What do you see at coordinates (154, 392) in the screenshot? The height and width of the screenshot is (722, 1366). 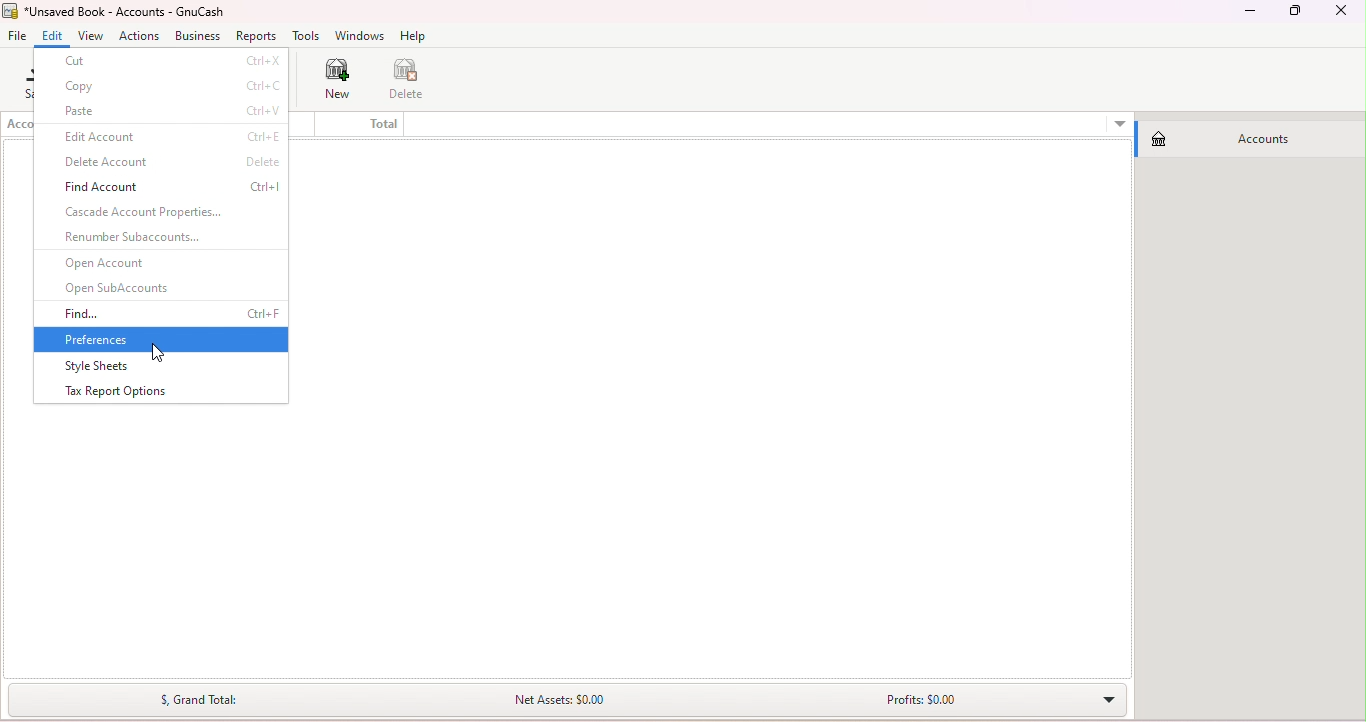 I see `Tax report options` at bounding box center [154, 392].